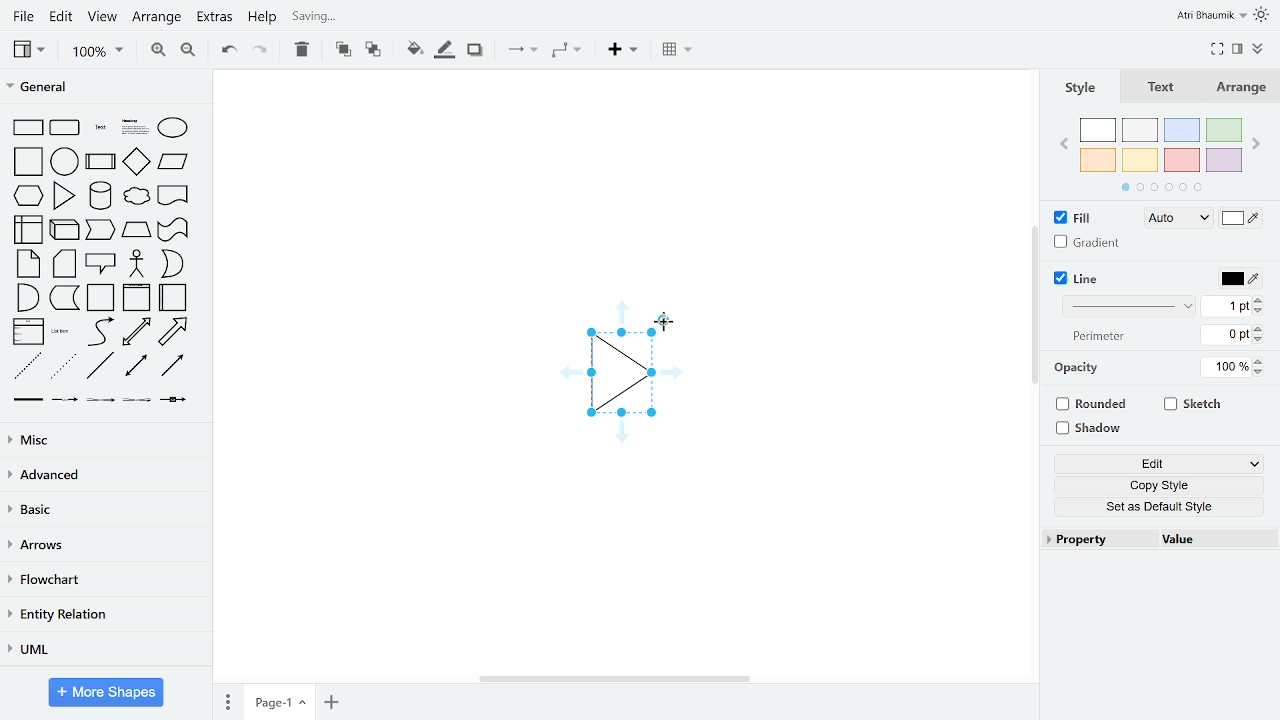 The height and width of the screenshot is (720, 1280). I want to click on green, so click(1226, 129).